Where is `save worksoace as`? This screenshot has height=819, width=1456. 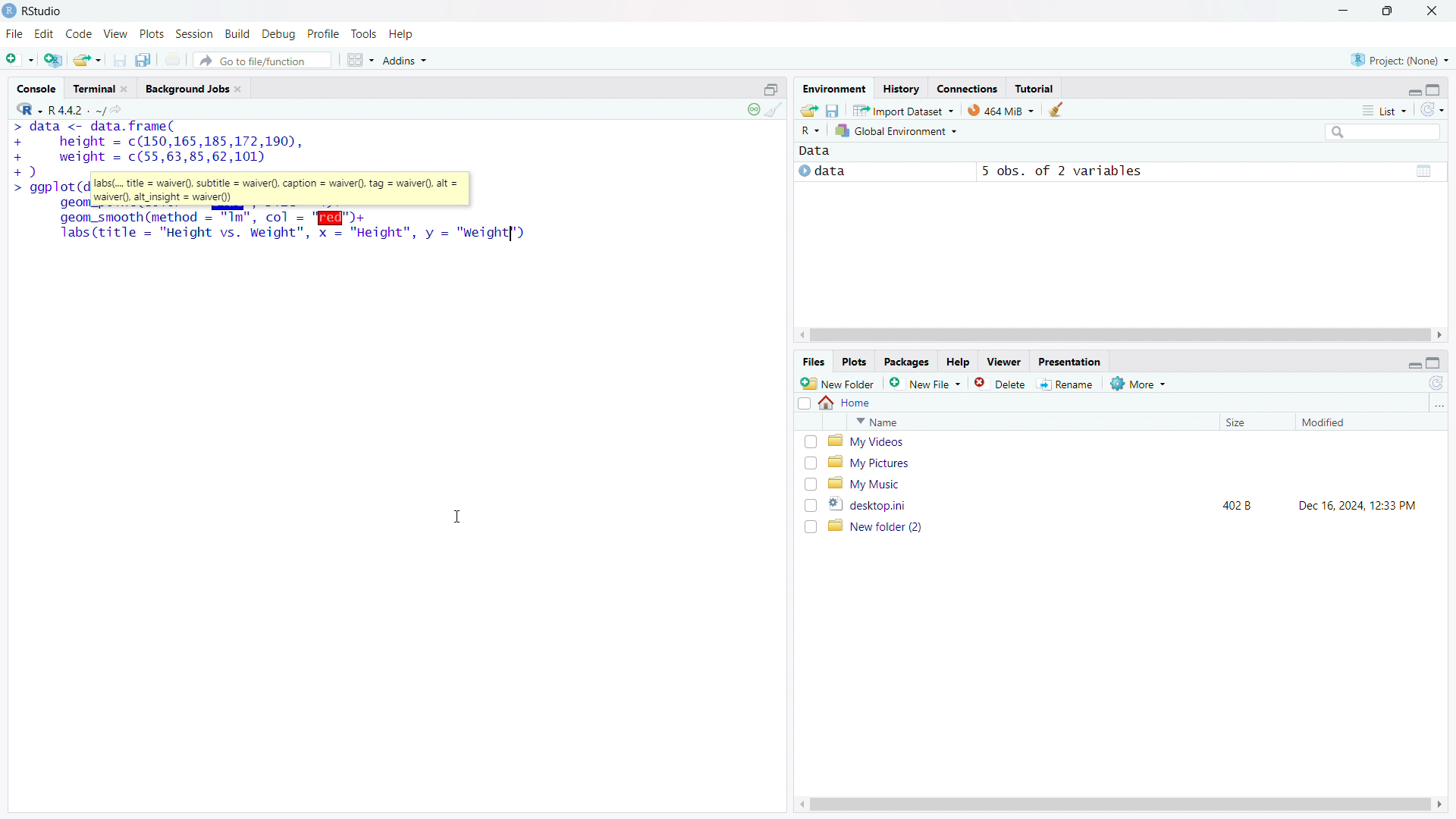
save worksoace as is located at coordinates (833, 109).